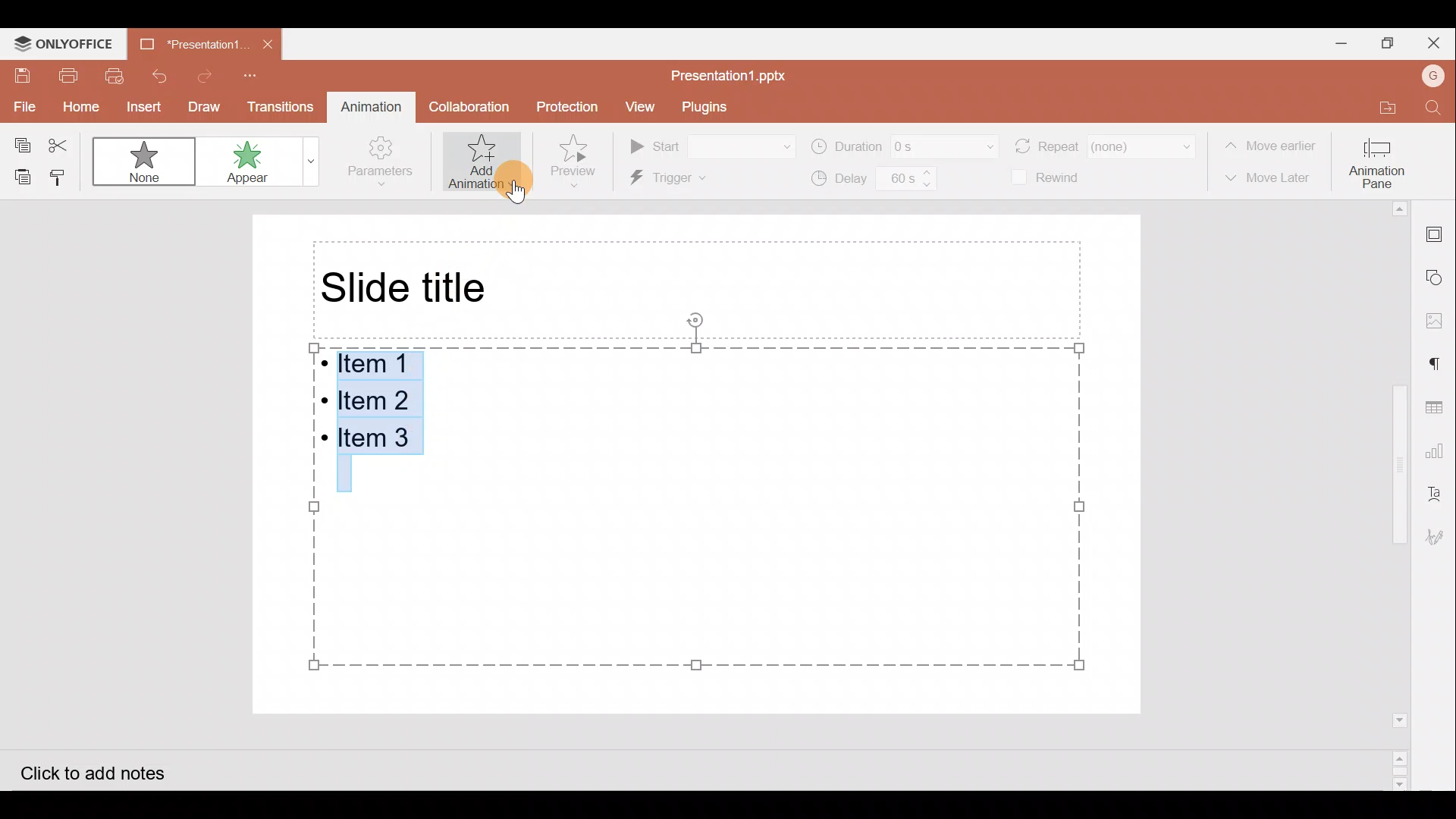  What do you see at coordinates (1379, 101) in the screenshot?
I see `Open file location` at bounding box center [1379, 101].